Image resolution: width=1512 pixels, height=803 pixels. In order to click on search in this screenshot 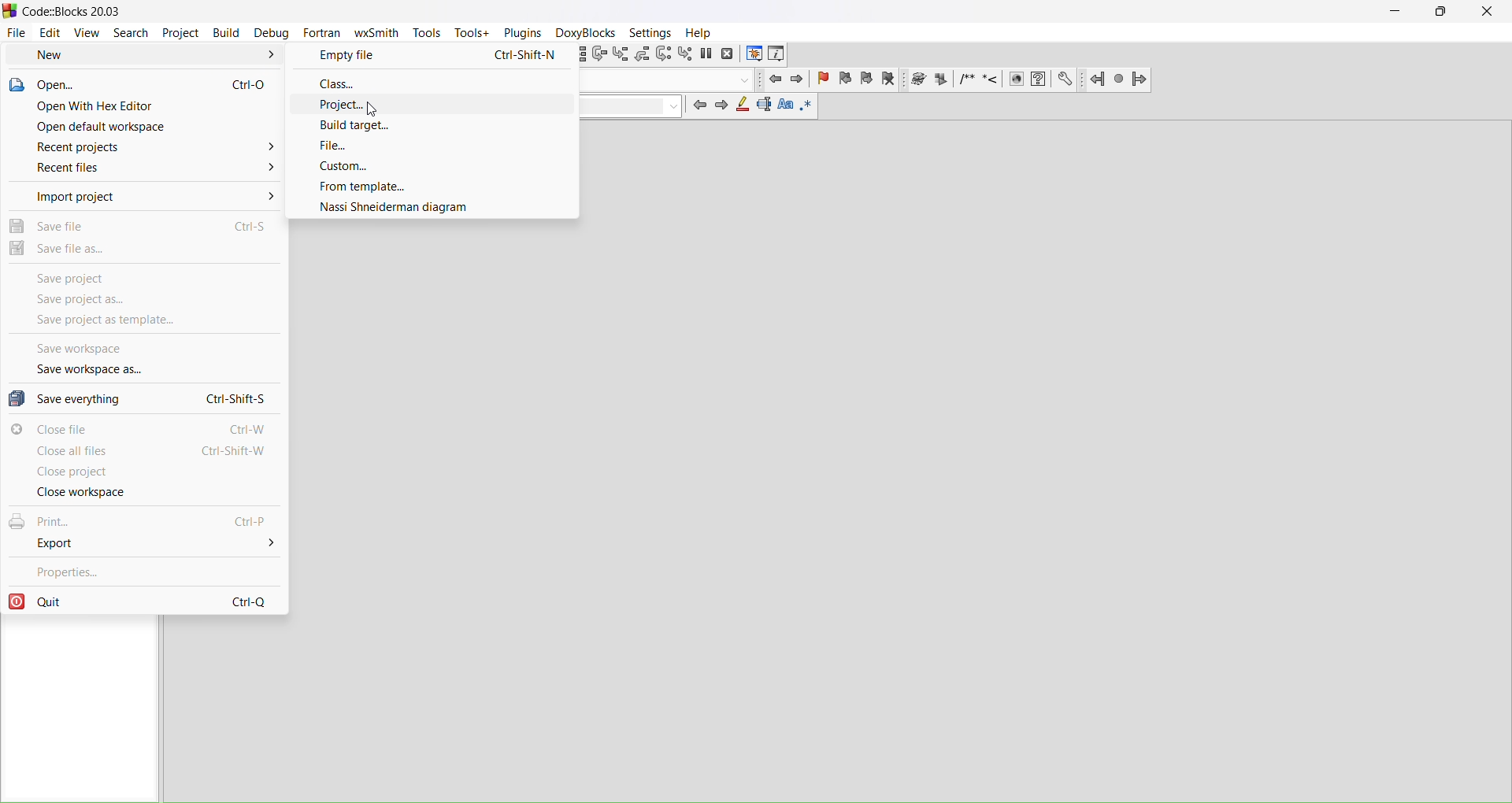, I will do `click(132, 34)`.